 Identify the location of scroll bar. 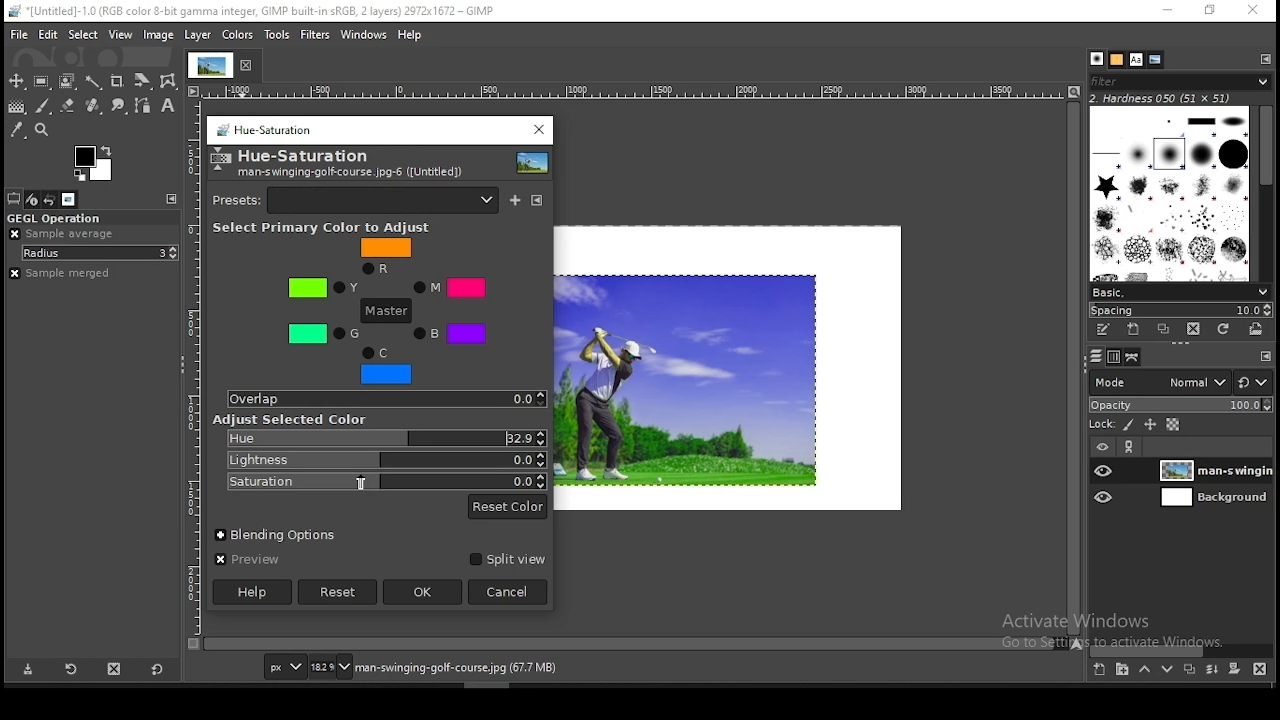
(1266, 193).